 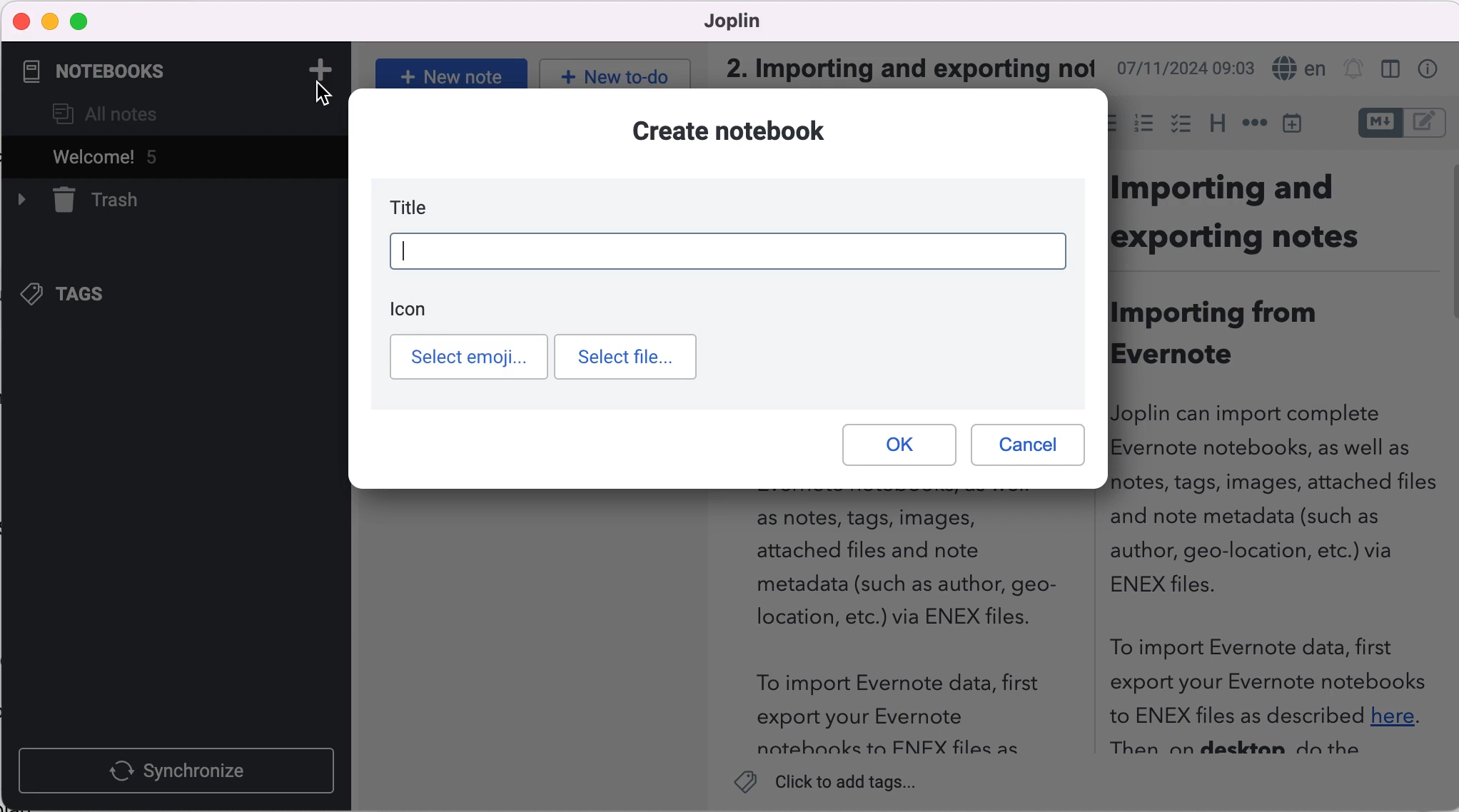 I want to click on checkbox, so click(x=1181, y=124).